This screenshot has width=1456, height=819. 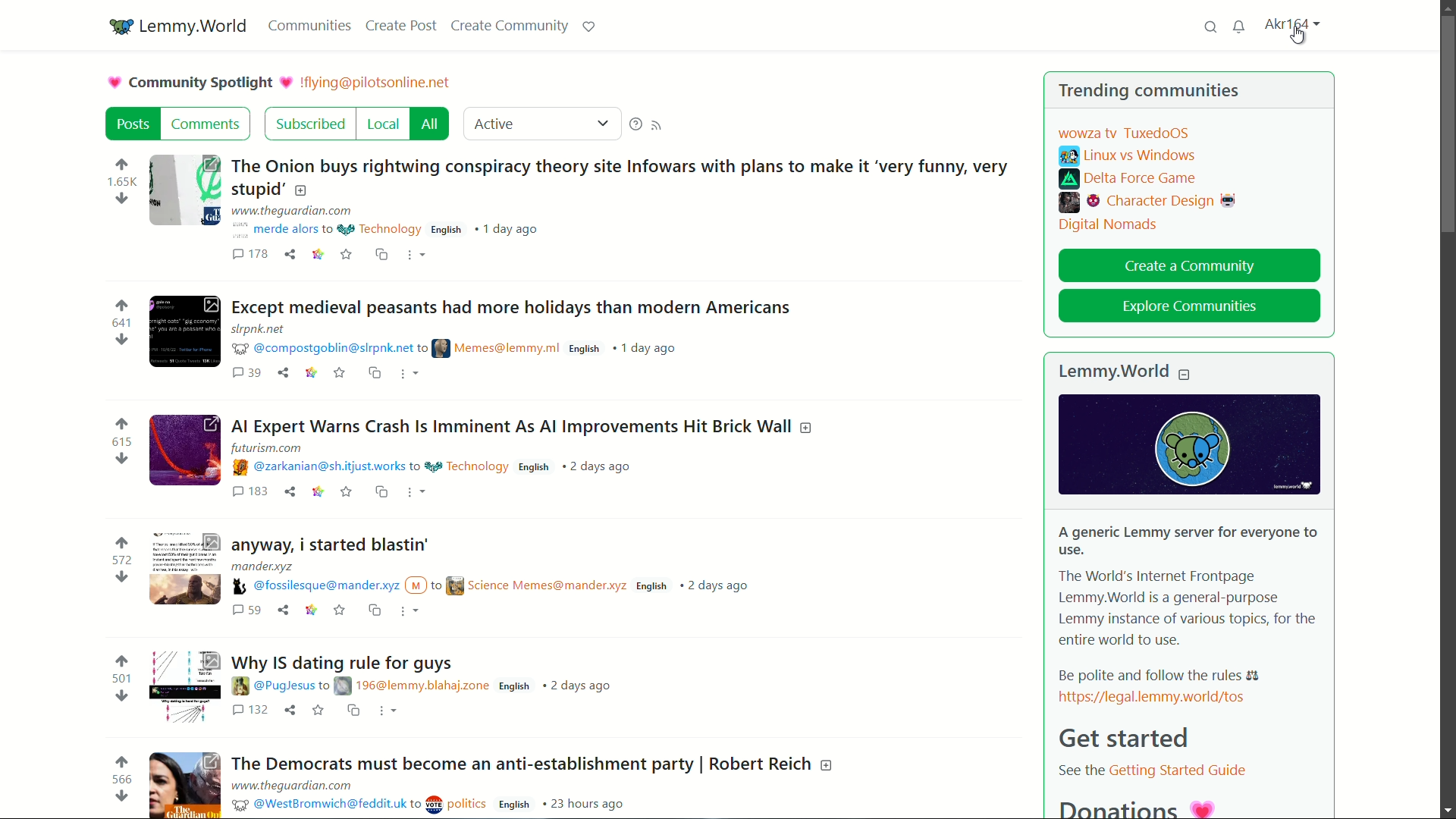 What do you see at coordinates (186, 783) in the screenshot?
I see `image` at bounding box center [186, 783].